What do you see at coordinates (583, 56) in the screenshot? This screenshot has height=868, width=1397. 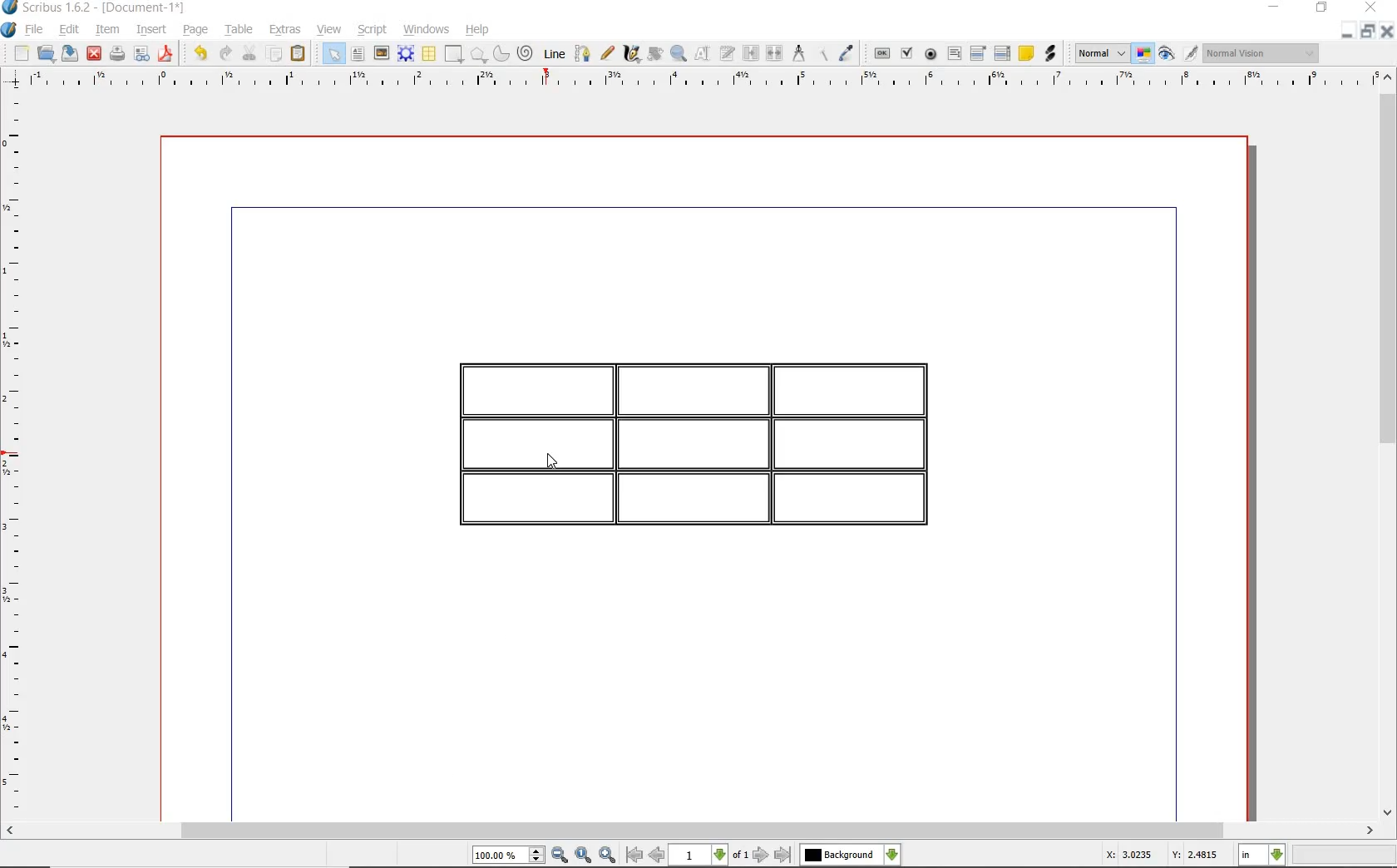 I see `bezier curve` at bounding box center [583, 56].